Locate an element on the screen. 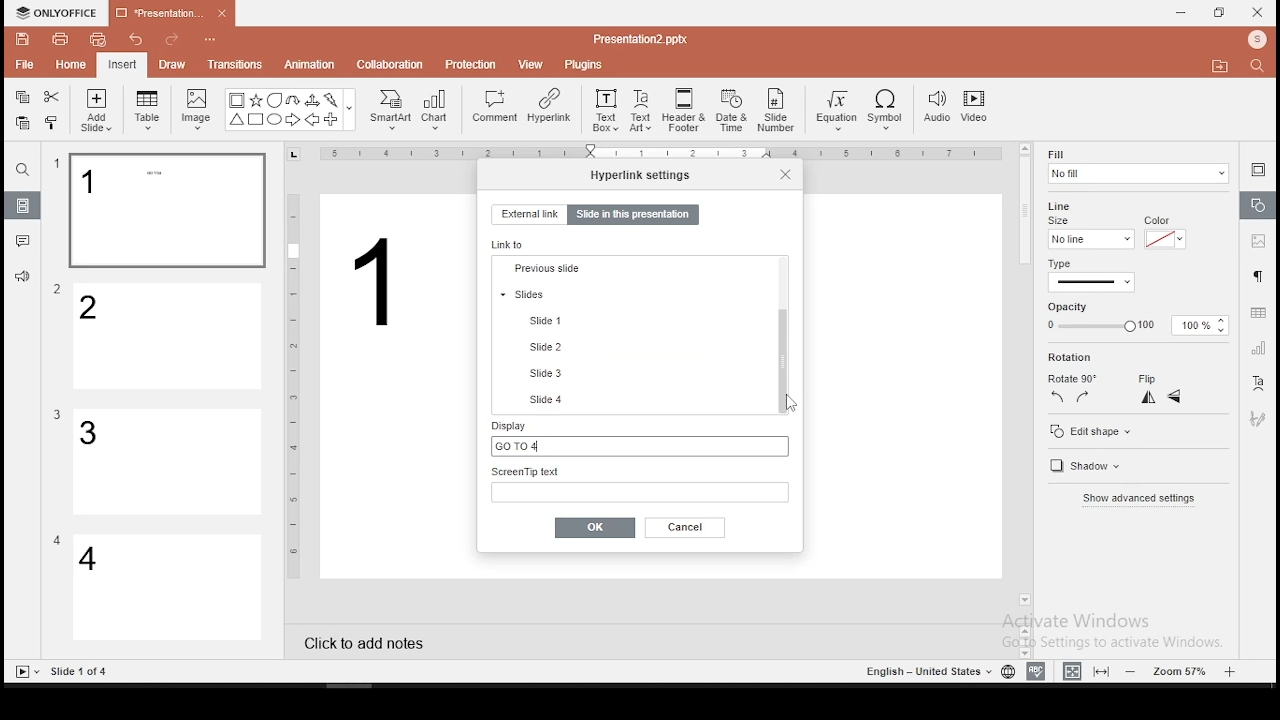 The image size is (1280, 720). Slide is located at coordinates (23, 672).